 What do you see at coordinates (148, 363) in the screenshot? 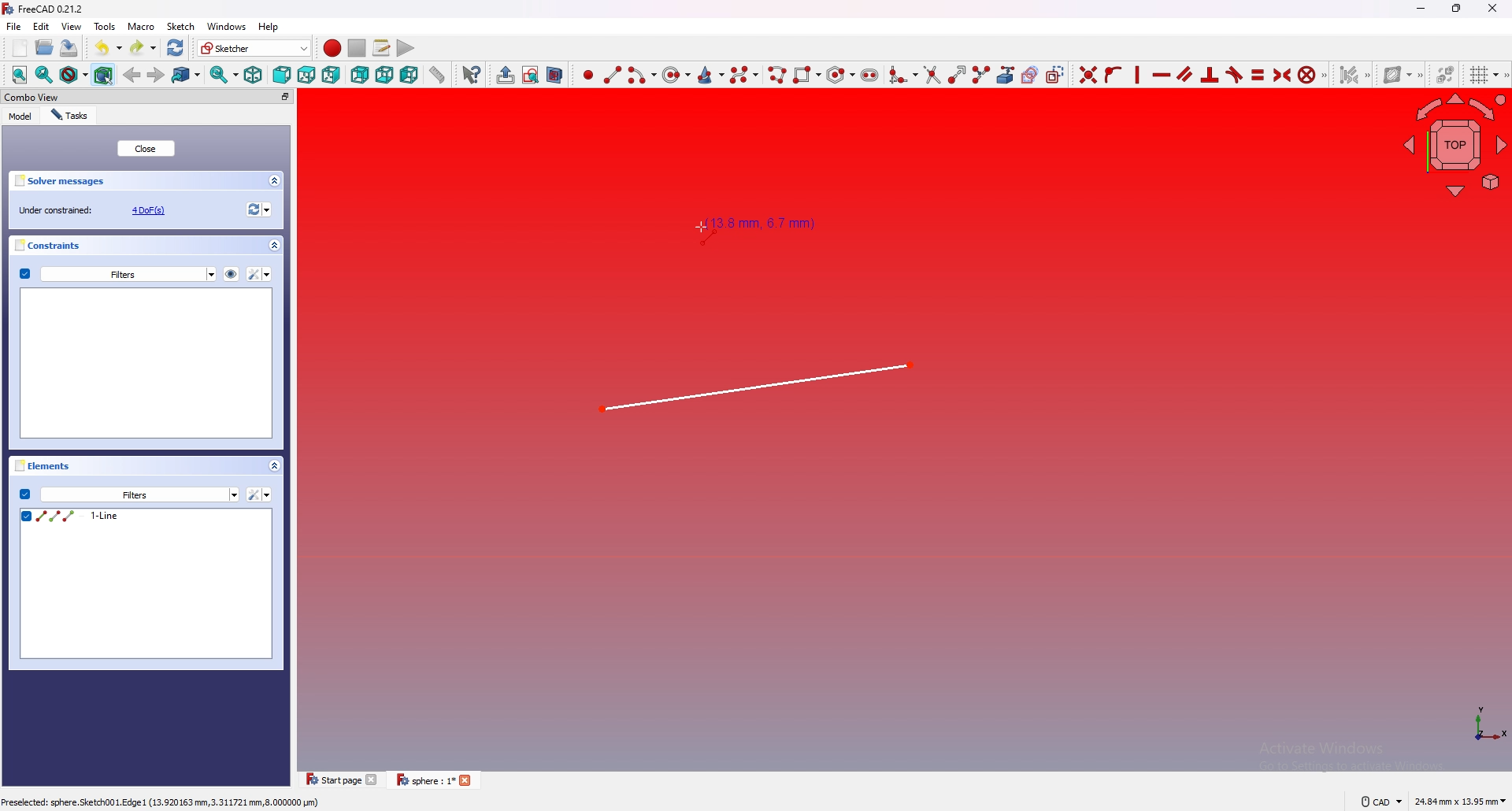
I see `Blank` at bounding box center [148, 363].